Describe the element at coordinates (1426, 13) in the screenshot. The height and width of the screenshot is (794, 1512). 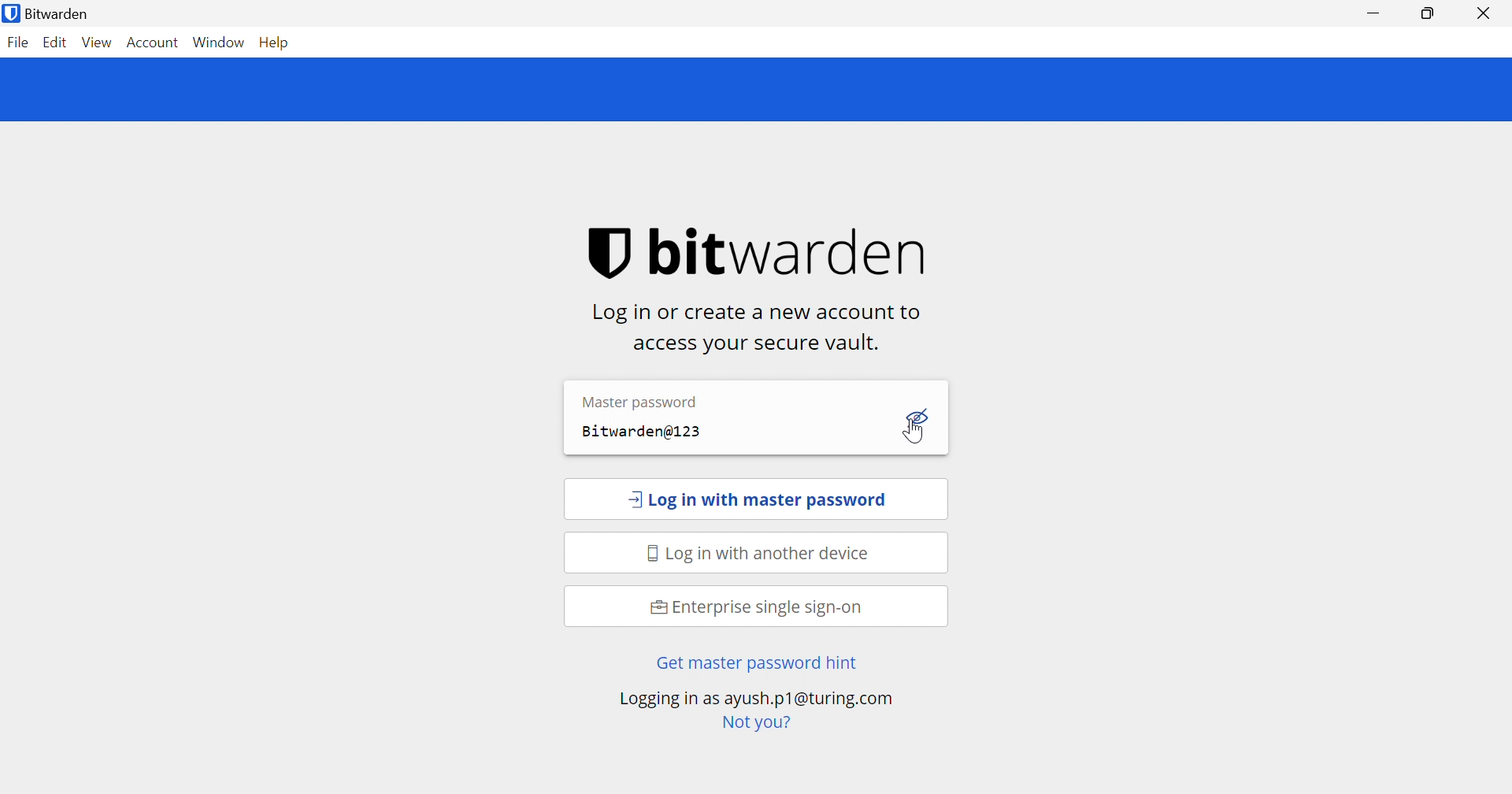
I see `Restore Down` at that location.